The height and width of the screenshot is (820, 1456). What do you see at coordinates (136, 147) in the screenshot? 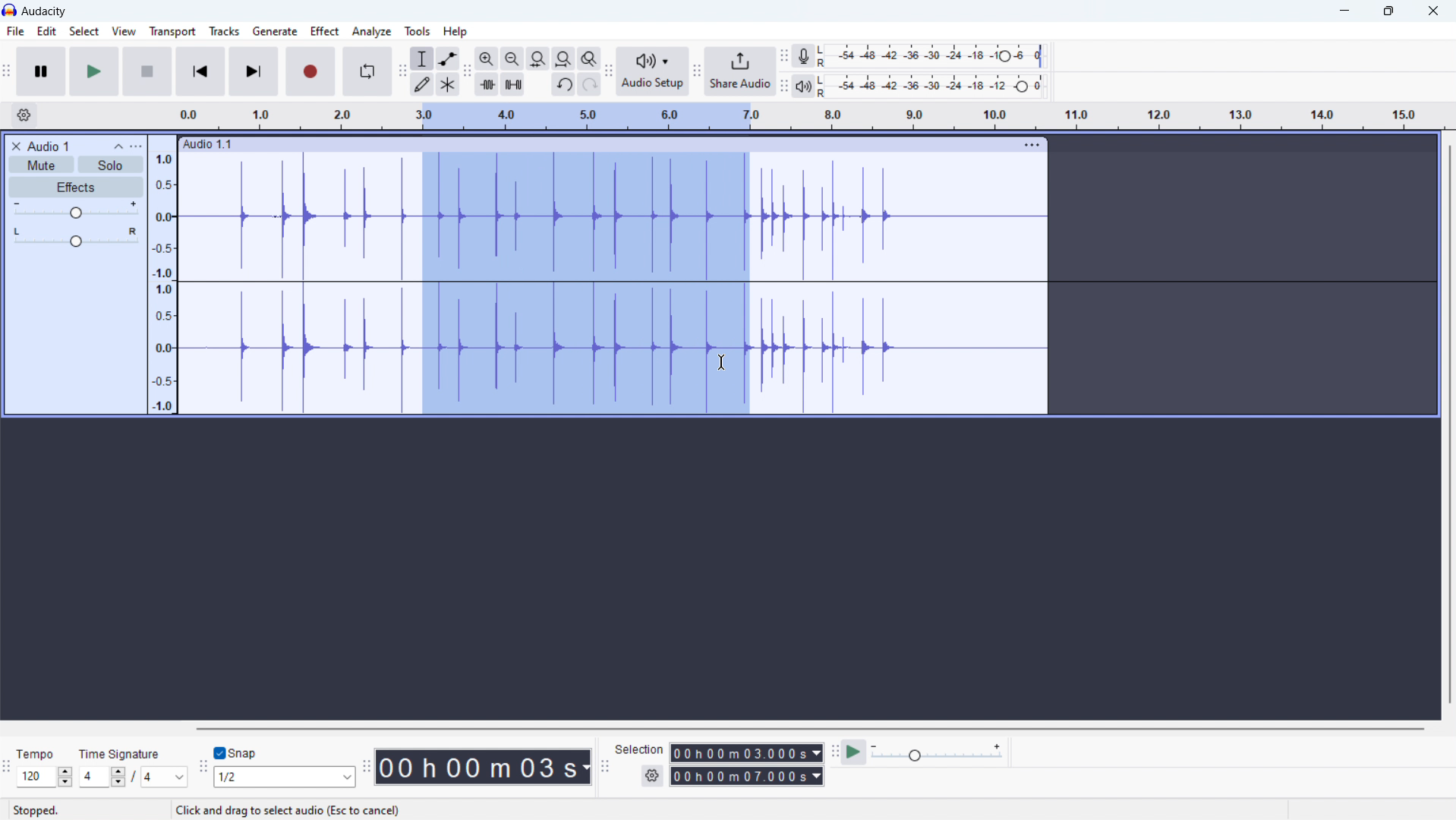
I see `view menu` at bounding box center [136, 147].